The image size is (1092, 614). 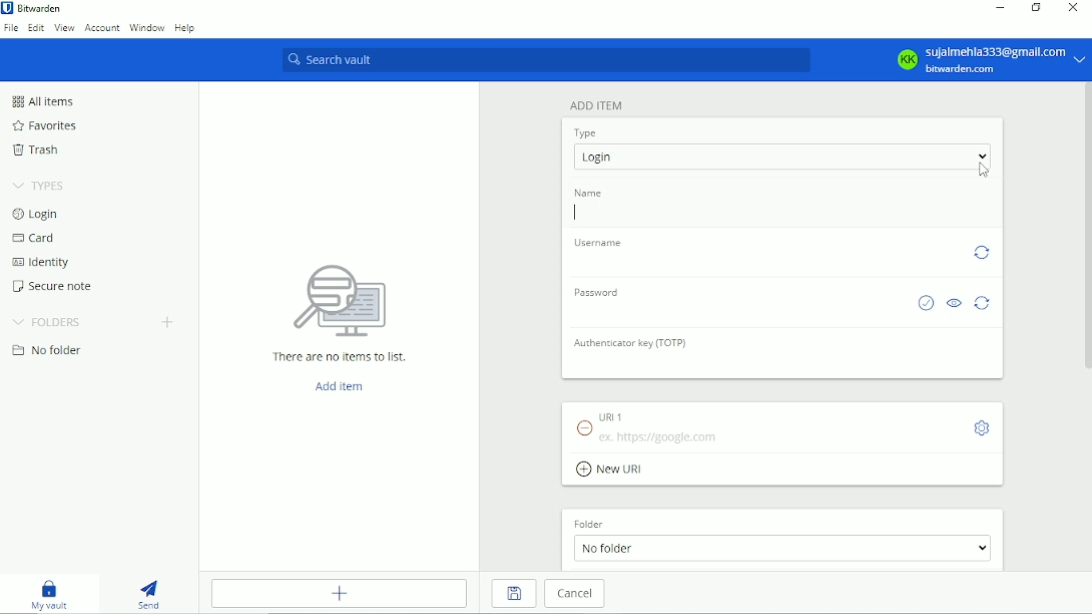 I want to click on Folders, so click(x=48, y=321).